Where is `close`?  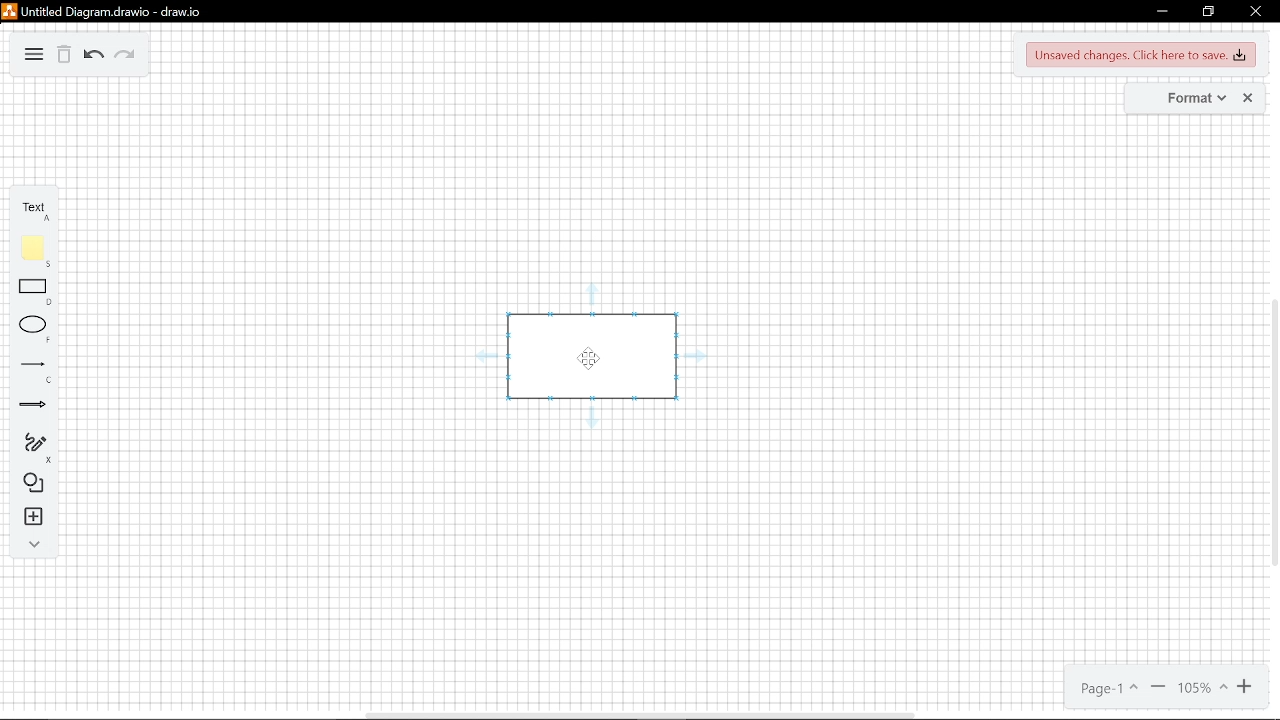 close is located at coordinates (1255, 12).